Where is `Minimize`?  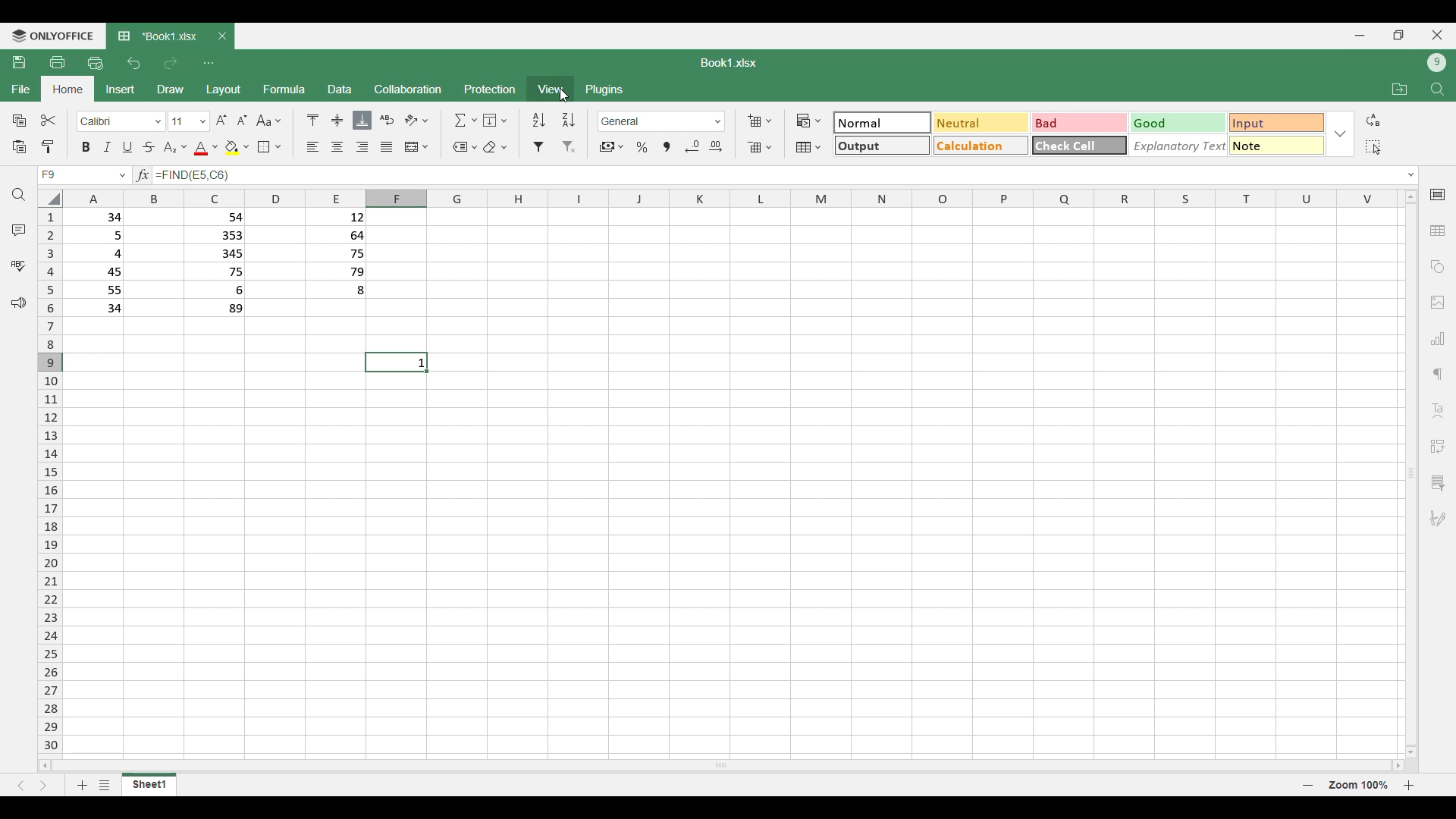 Minimize is located at coordinates (1360, 36).